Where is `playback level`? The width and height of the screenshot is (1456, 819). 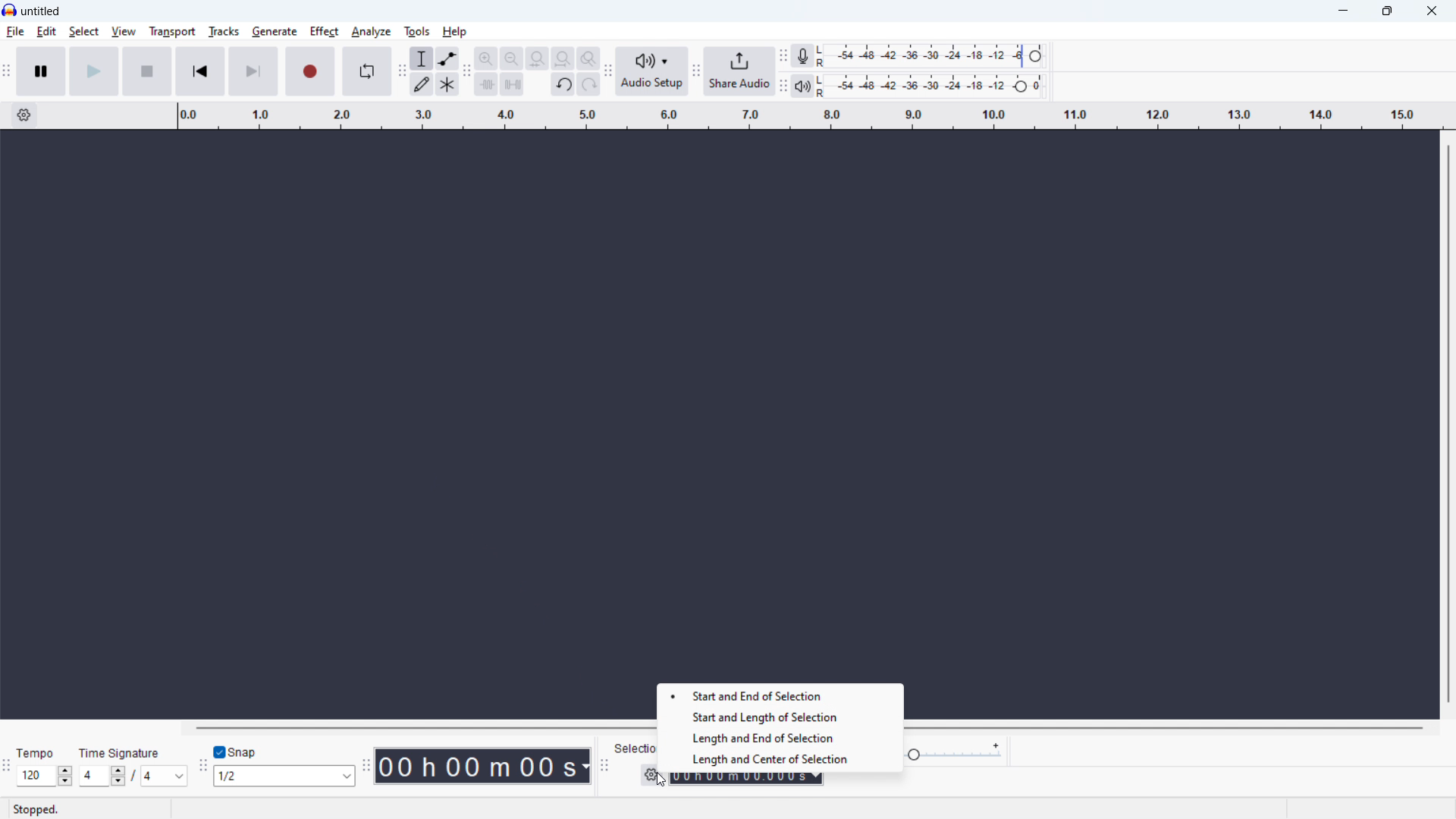 playback level is located at coordinates (931, 86).